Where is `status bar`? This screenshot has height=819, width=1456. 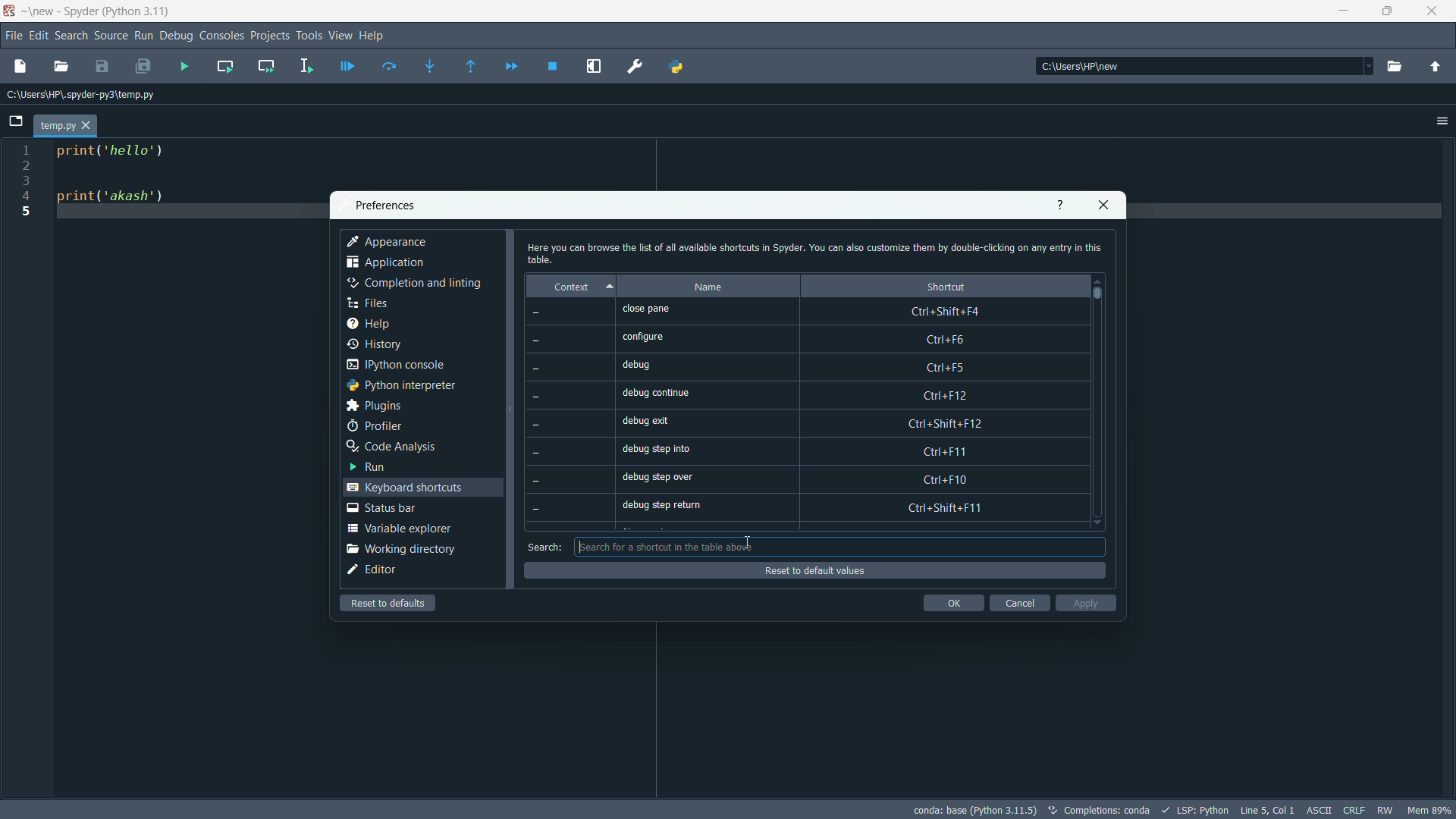 status bar is located at coordinates (381, 508).